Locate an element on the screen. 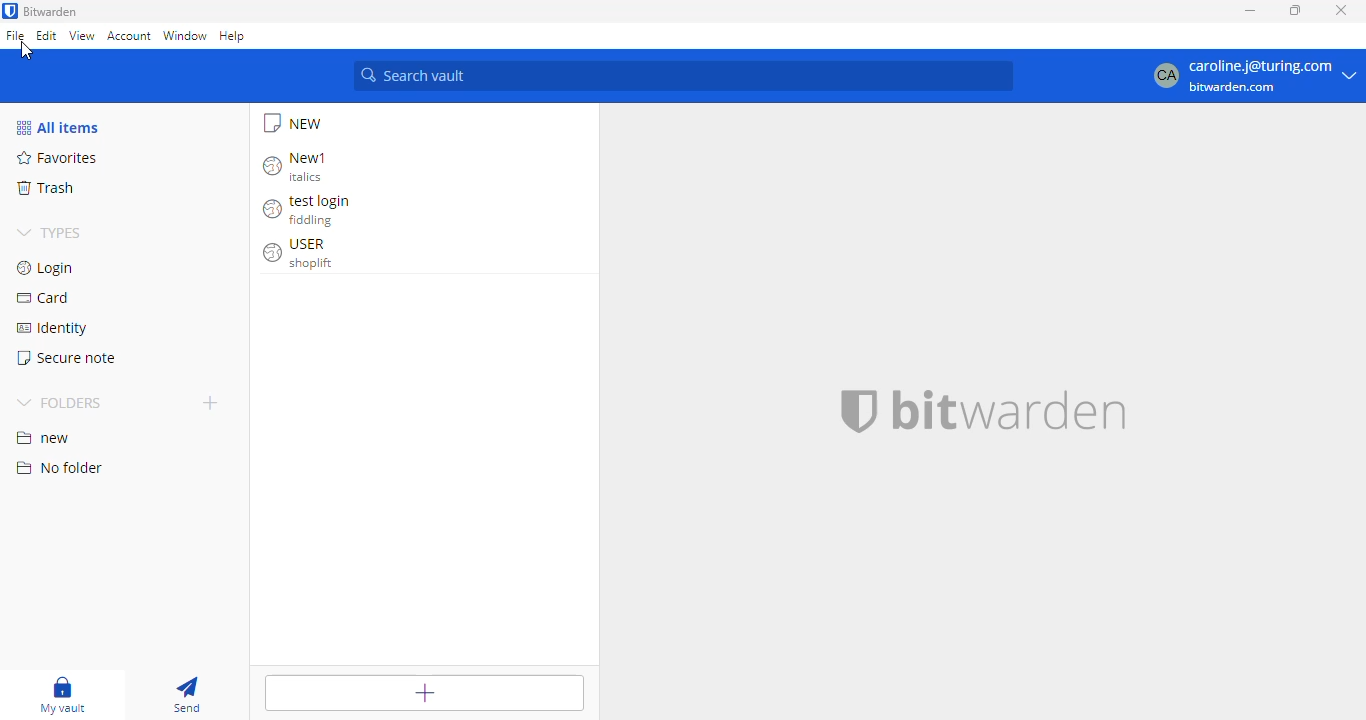 Image resolution: width=1366 pixels, height=720 pixels. login is located at coordinates (48, 268).